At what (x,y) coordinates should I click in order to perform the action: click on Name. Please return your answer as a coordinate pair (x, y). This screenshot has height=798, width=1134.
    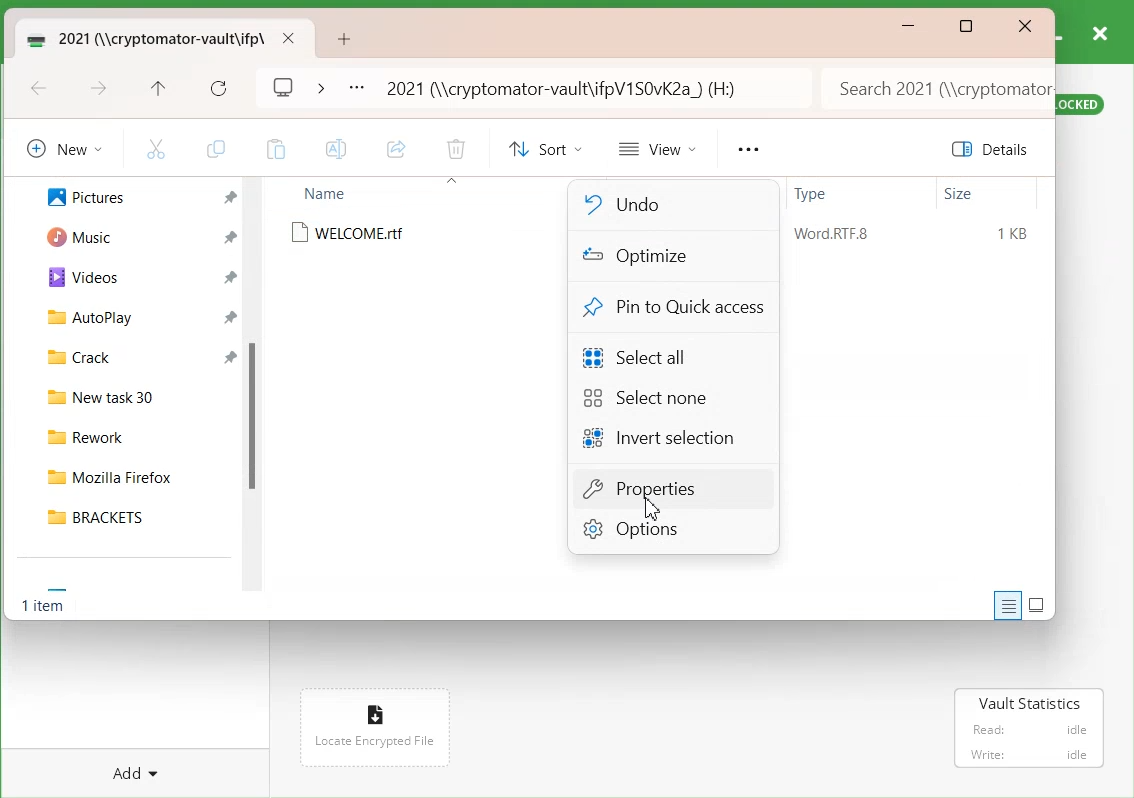
    Looking at the image, I should click on (328, 193).